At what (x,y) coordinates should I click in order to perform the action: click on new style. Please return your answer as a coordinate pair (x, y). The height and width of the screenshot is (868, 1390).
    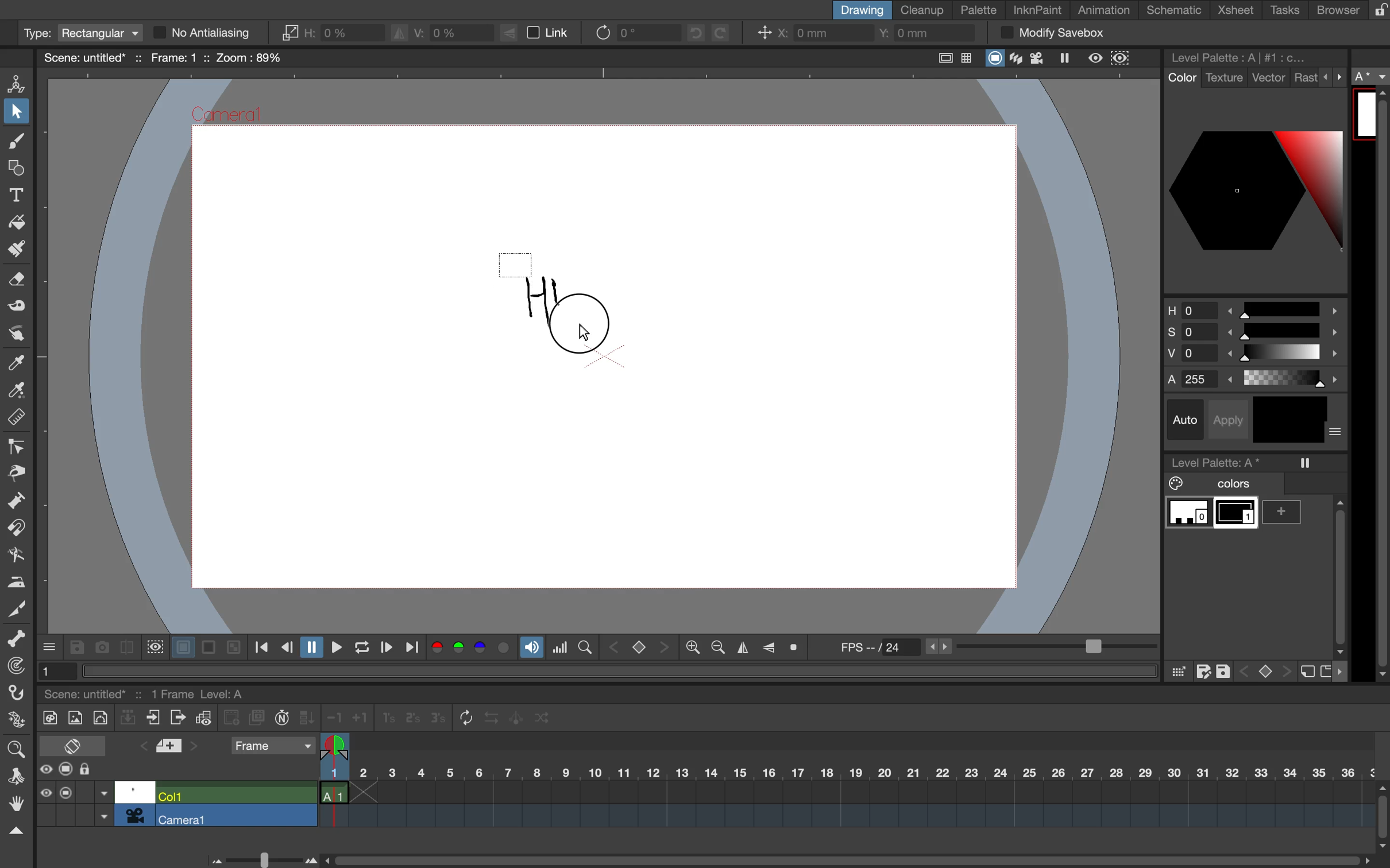
    Looking at the image, I should click on (1306, 672).